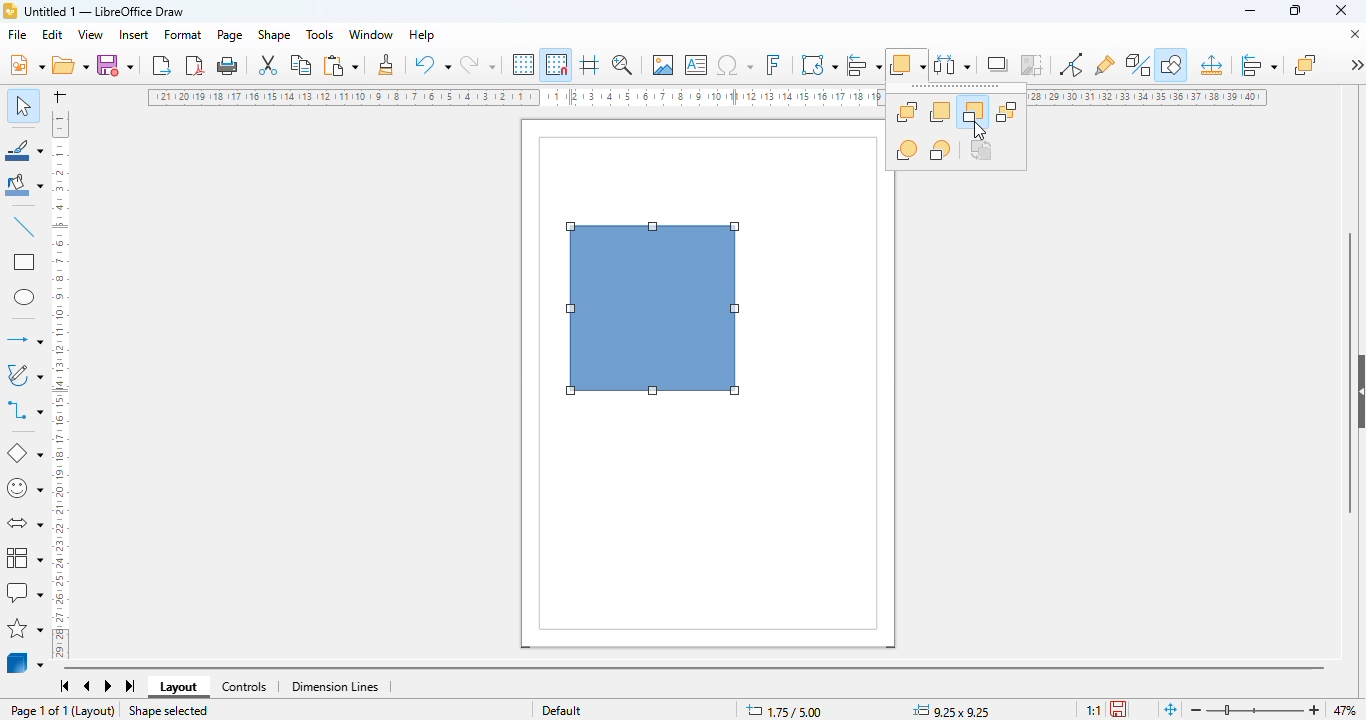 The width and height of the screenshot is (1366, 720). Describe the element at coordinates (1007, 113) in the screenshot. I see `send to back` at that location.